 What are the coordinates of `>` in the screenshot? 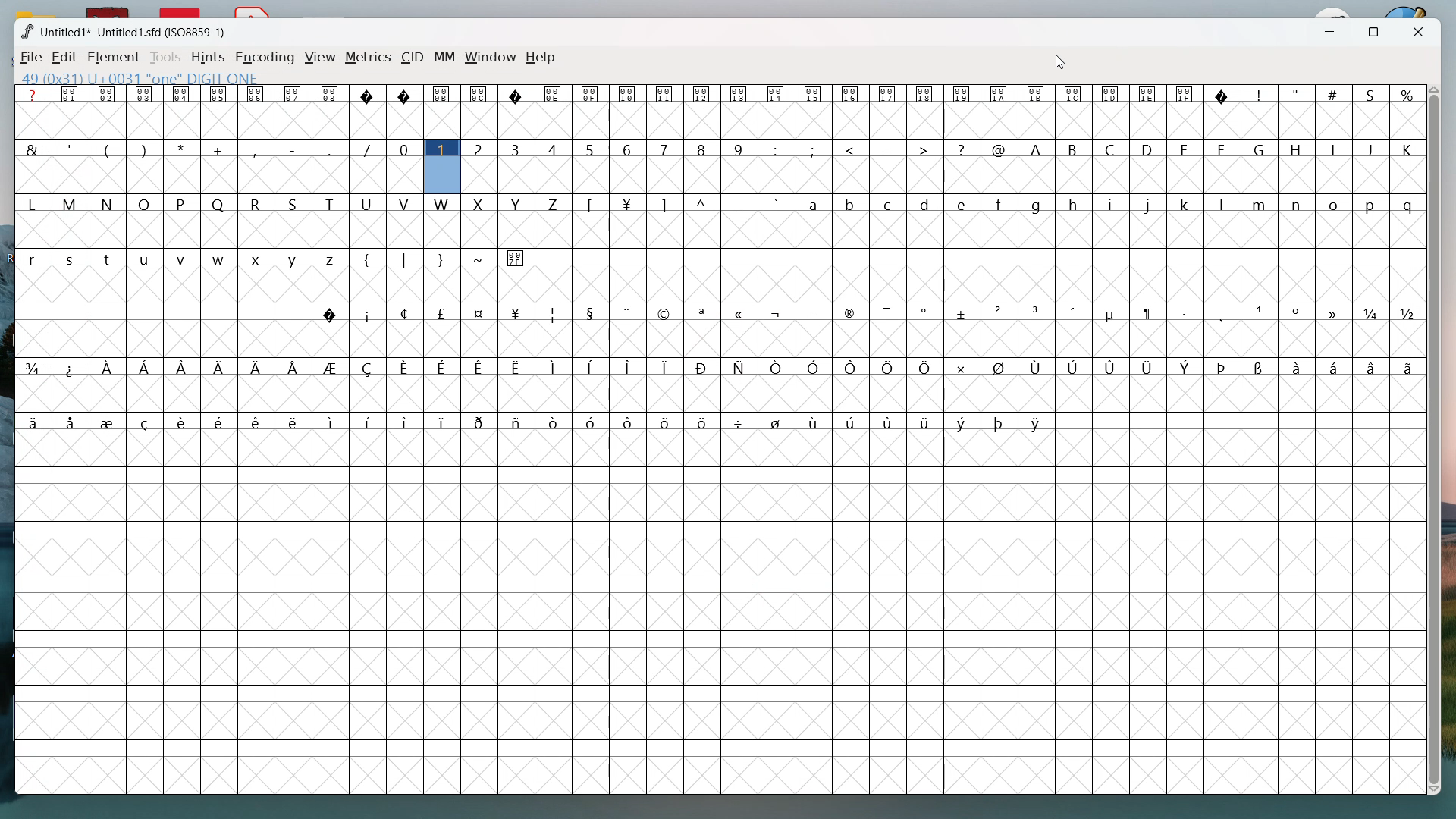 It's located at (923, 147).